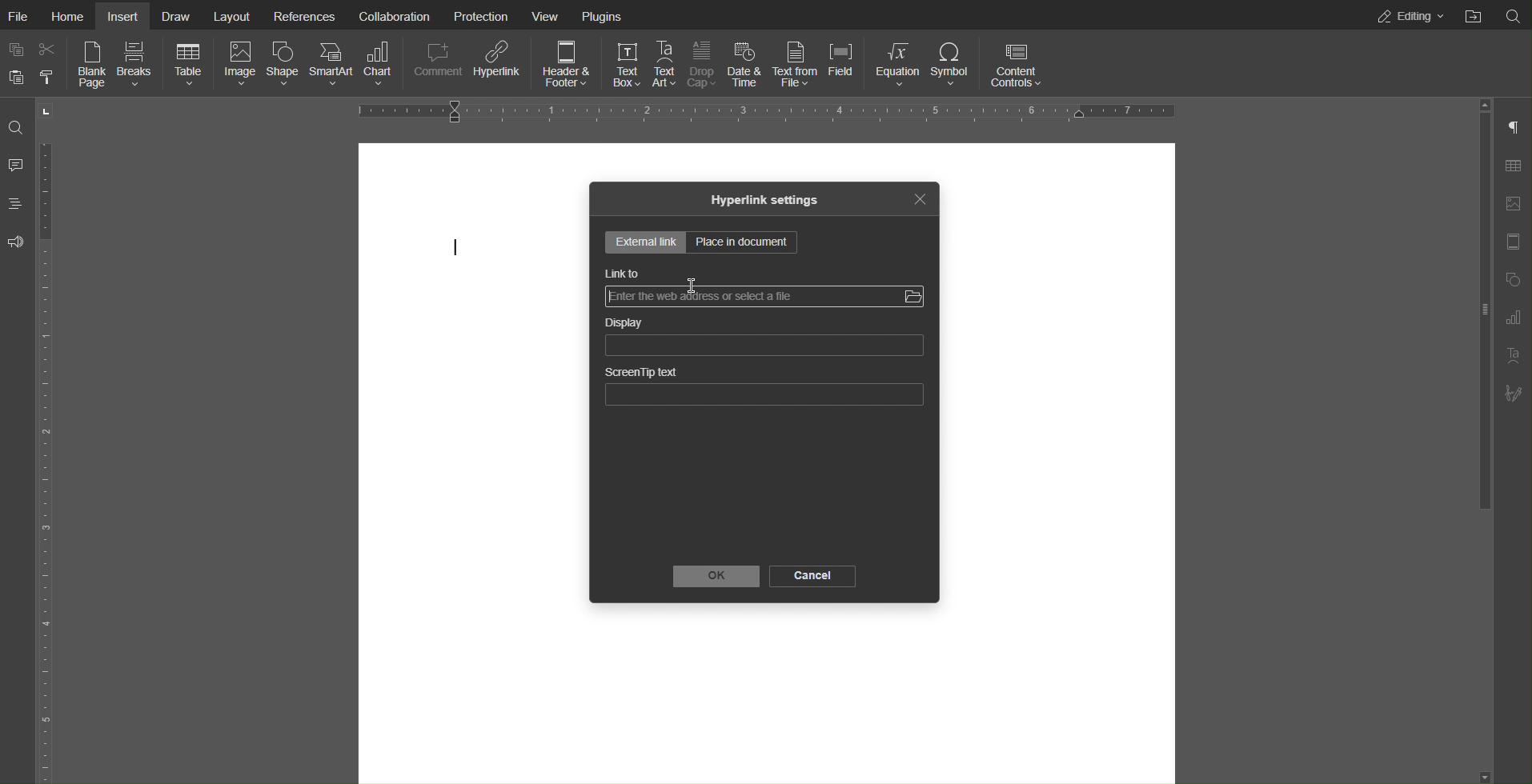  I want to click on Vertical Ruler, so click(51, 460).